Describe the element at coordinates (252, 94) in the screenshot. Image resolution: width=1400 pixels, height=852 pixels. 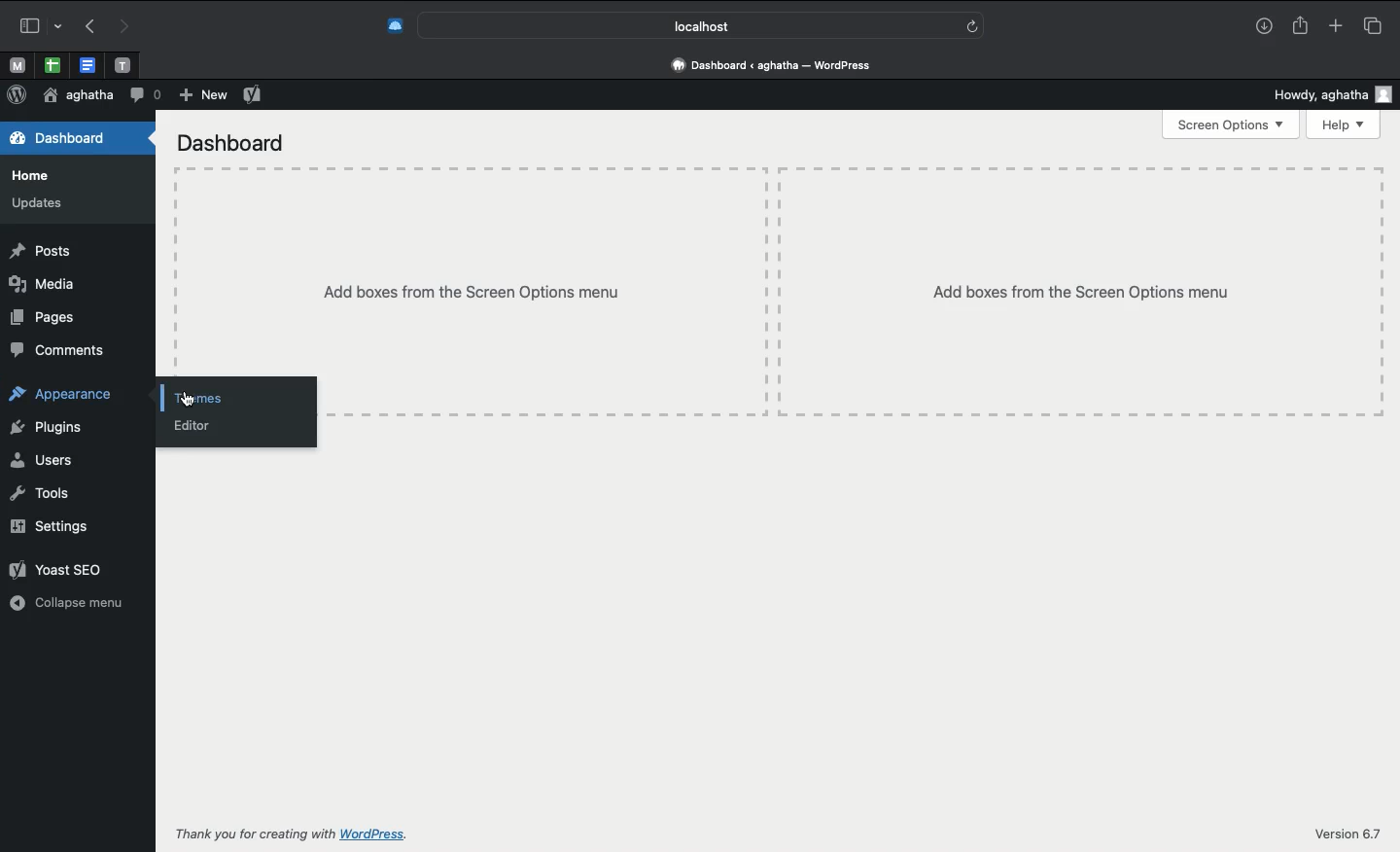
I see `Yoast` at that location.